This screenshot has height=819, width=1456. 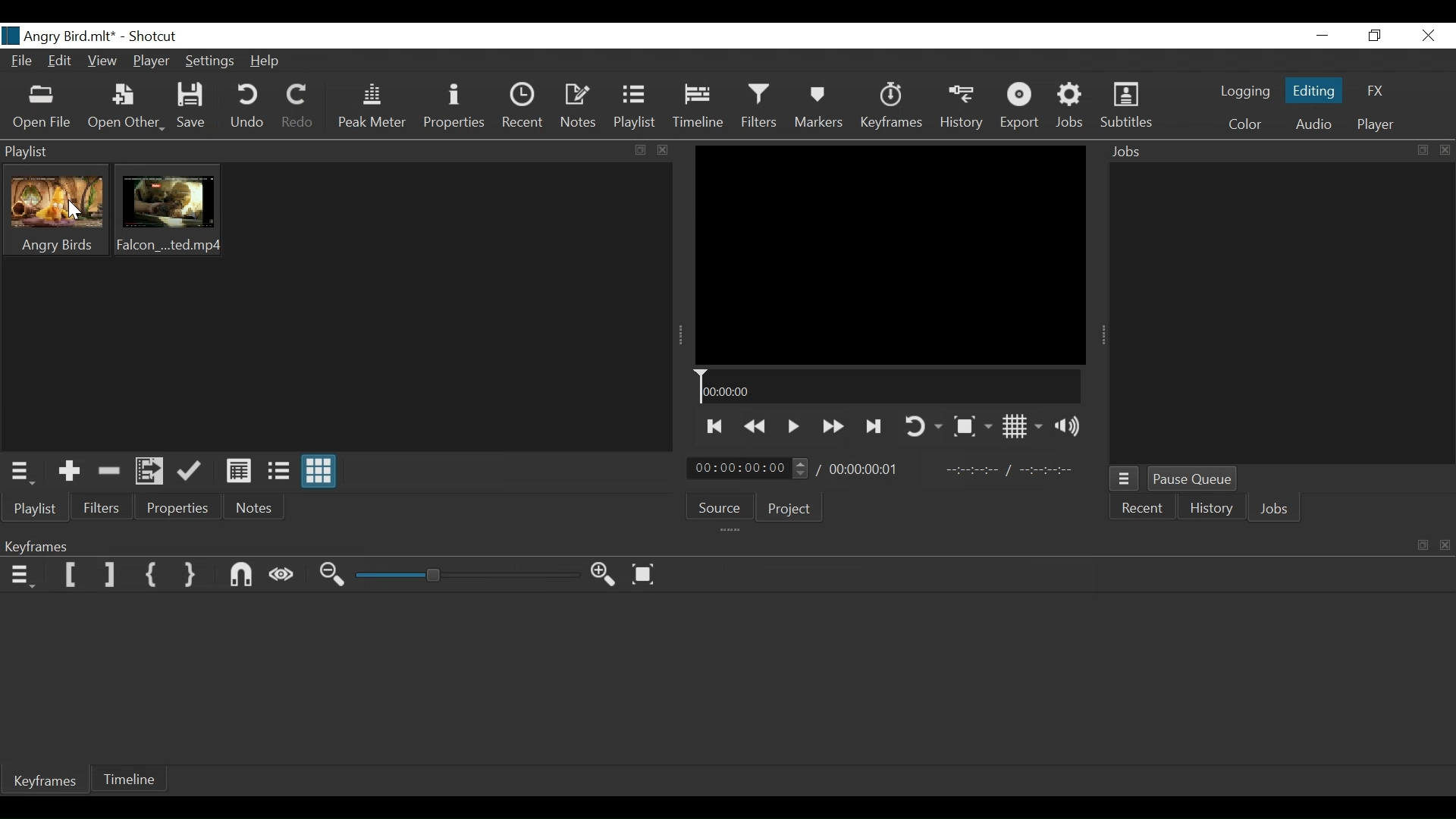 What do you see at coordinates (926, 425) in the screenshot?
I see `Toggle player looping` at bounding box center [926, 425].